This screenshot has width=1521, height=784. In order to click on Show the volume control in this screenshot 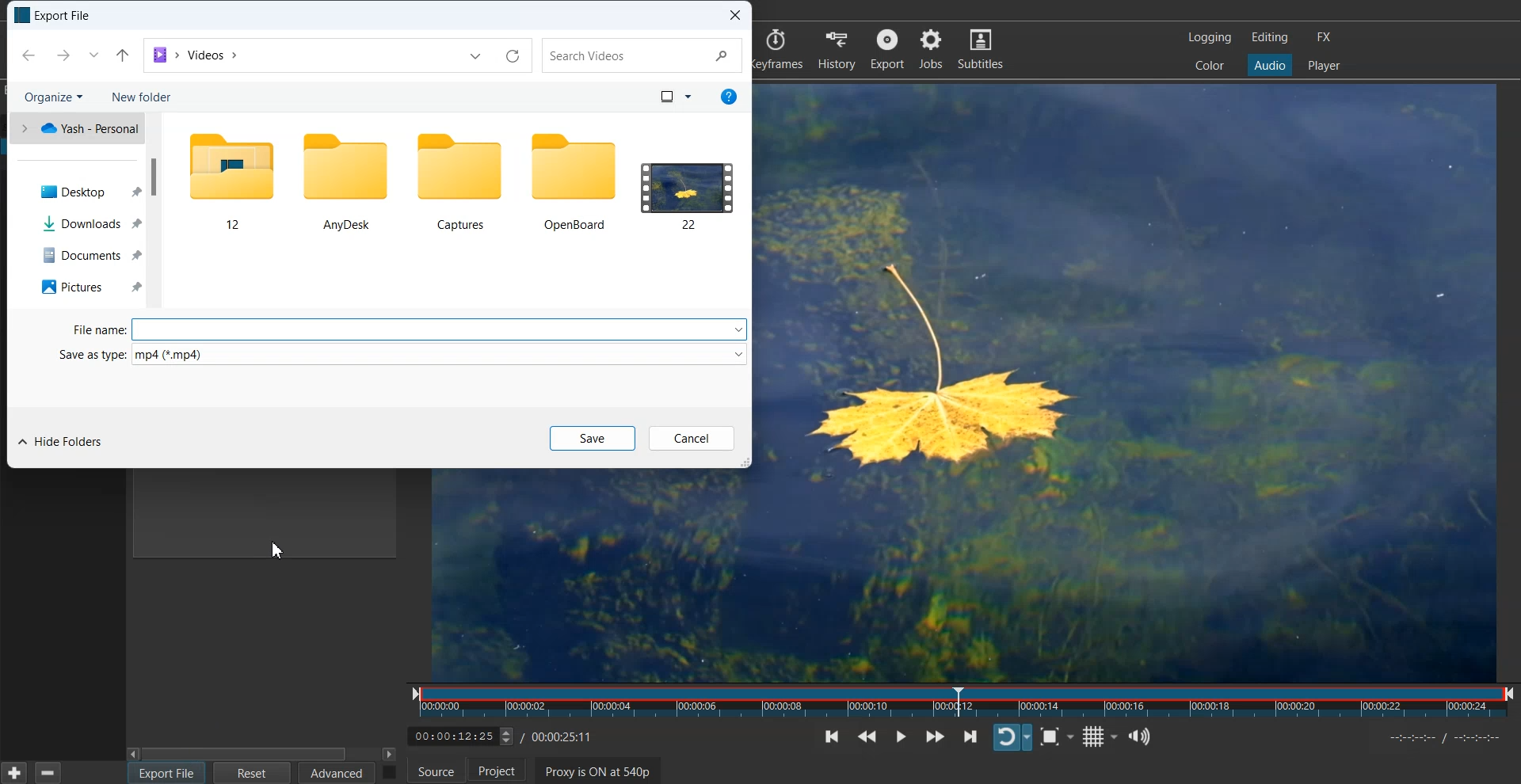, I will do `click(1144, 736)`.